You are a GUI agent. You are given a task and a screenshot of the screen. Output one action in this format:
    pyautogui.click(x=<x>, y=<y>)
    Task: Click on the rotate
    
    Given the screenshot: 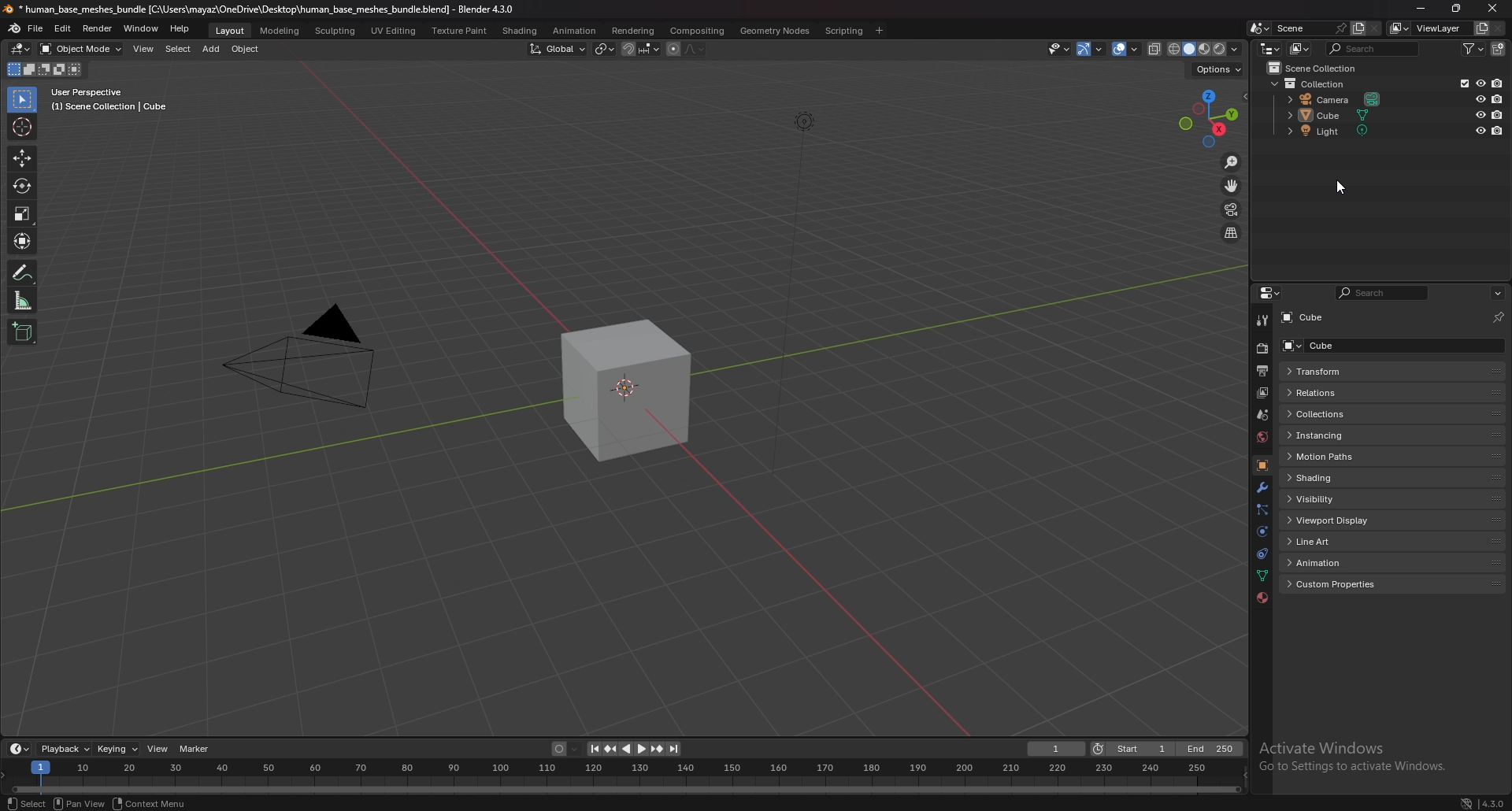 What is the action you would take?
    pyautogui.click(x=23, y=185)
    